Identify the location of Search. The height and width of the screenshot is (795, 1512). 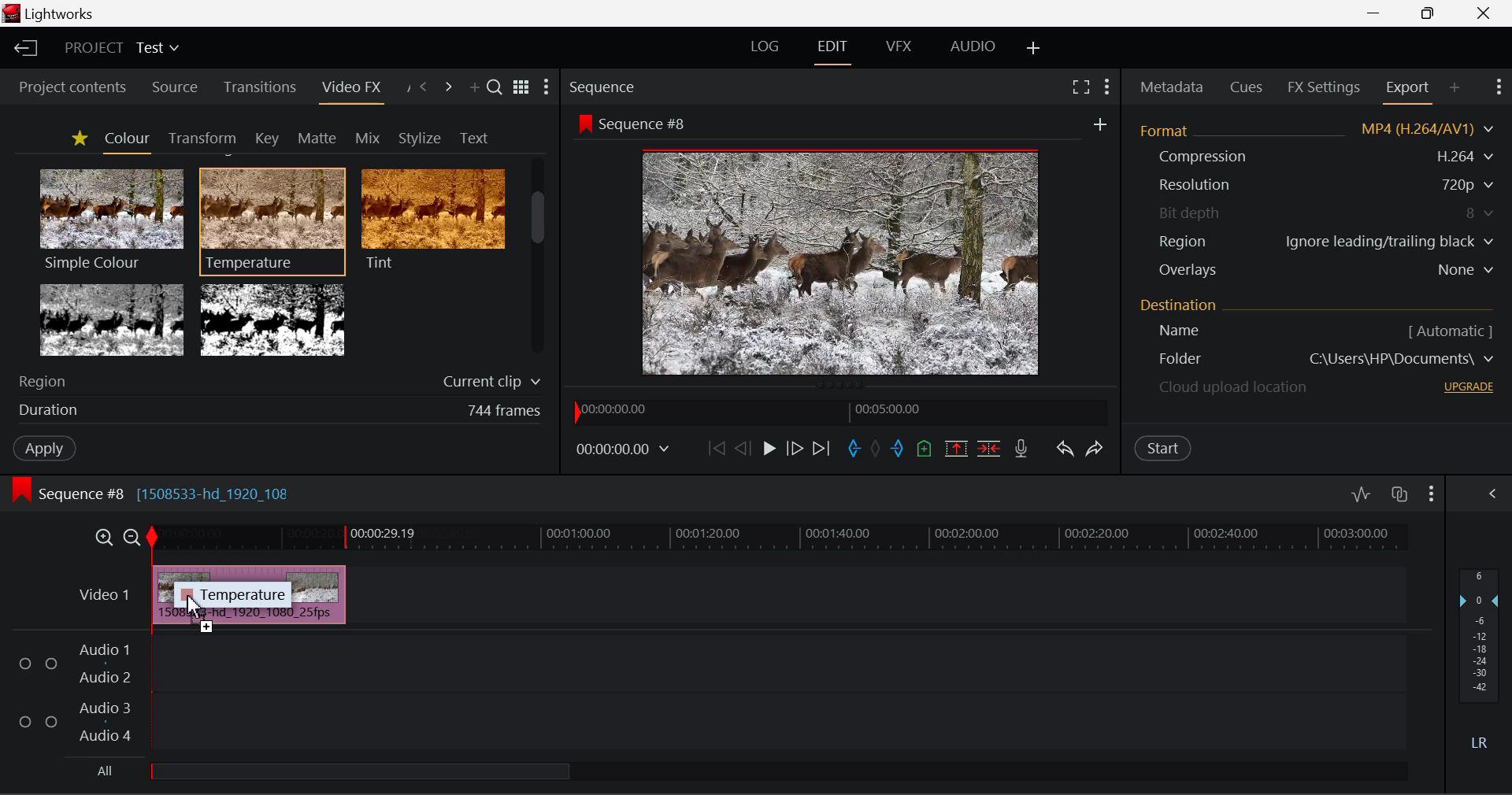
(496, 90).